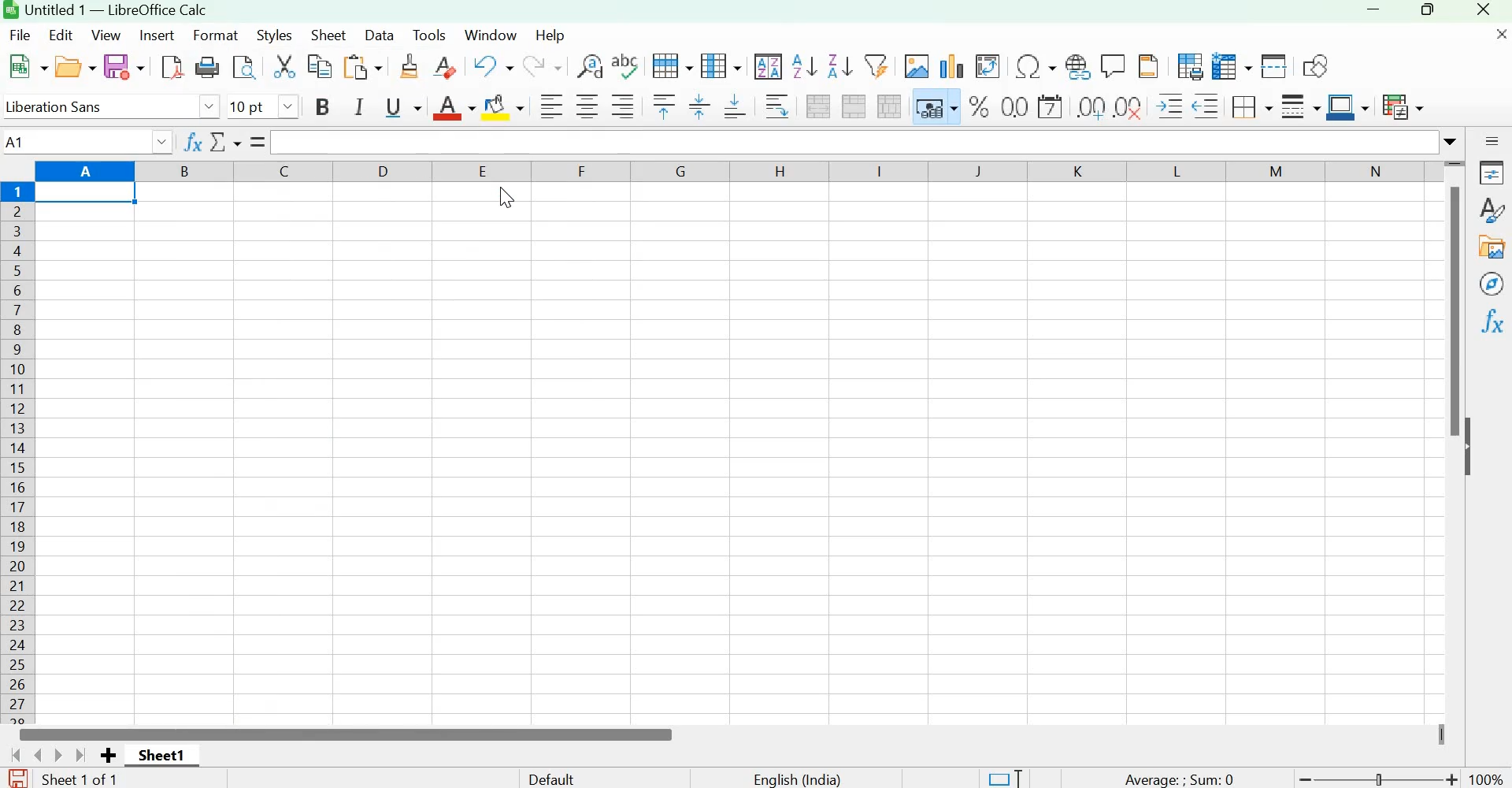  What do you see at coordinates (806, 66) in the screenshot?
I see `Sort ascending` at bounding box center [806, 66].